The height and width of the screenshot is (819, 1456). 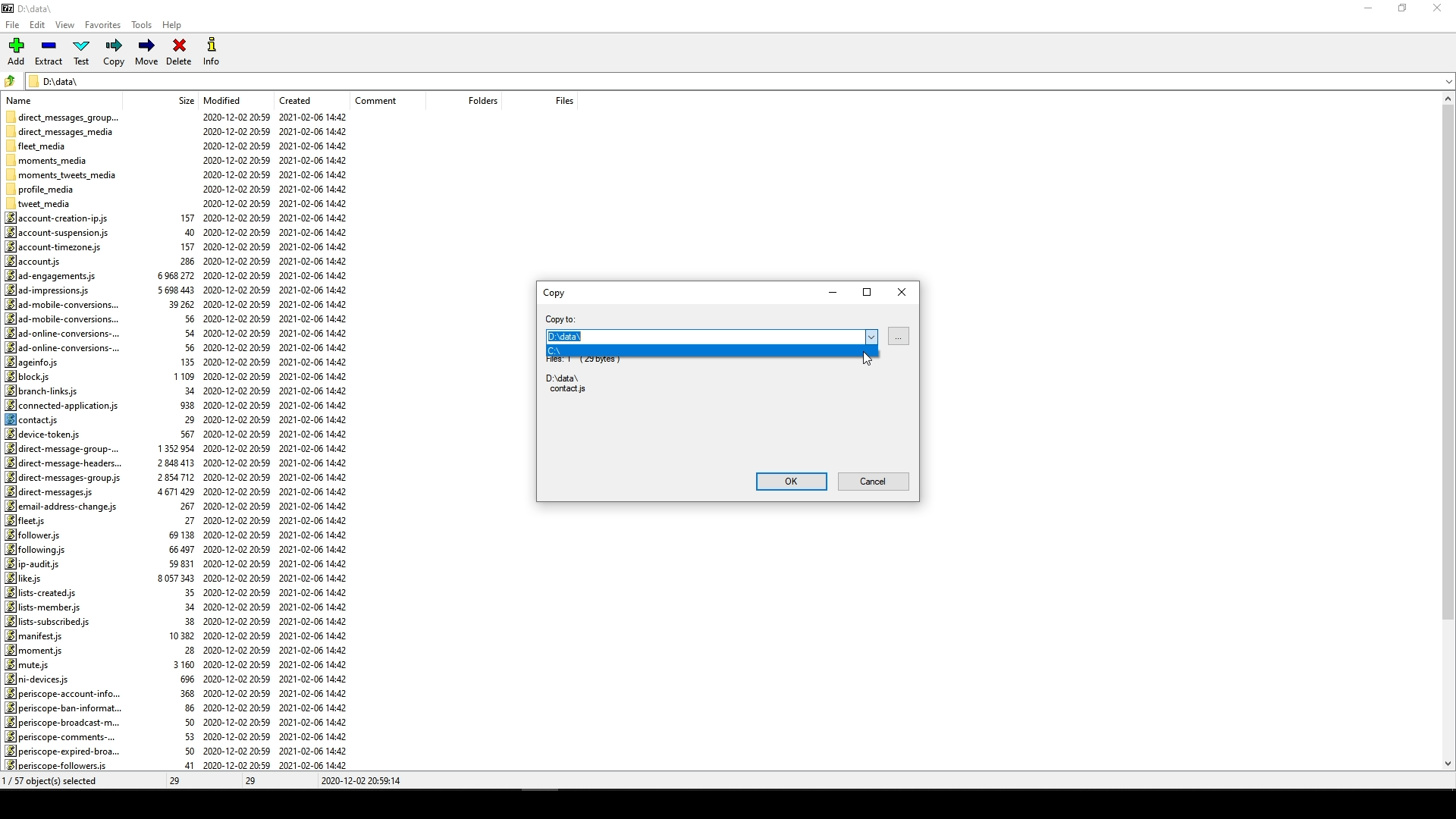 What do you see at coordinates (148, 52) in the screenshot?
I see `Move` at bounding box center [148, 52].